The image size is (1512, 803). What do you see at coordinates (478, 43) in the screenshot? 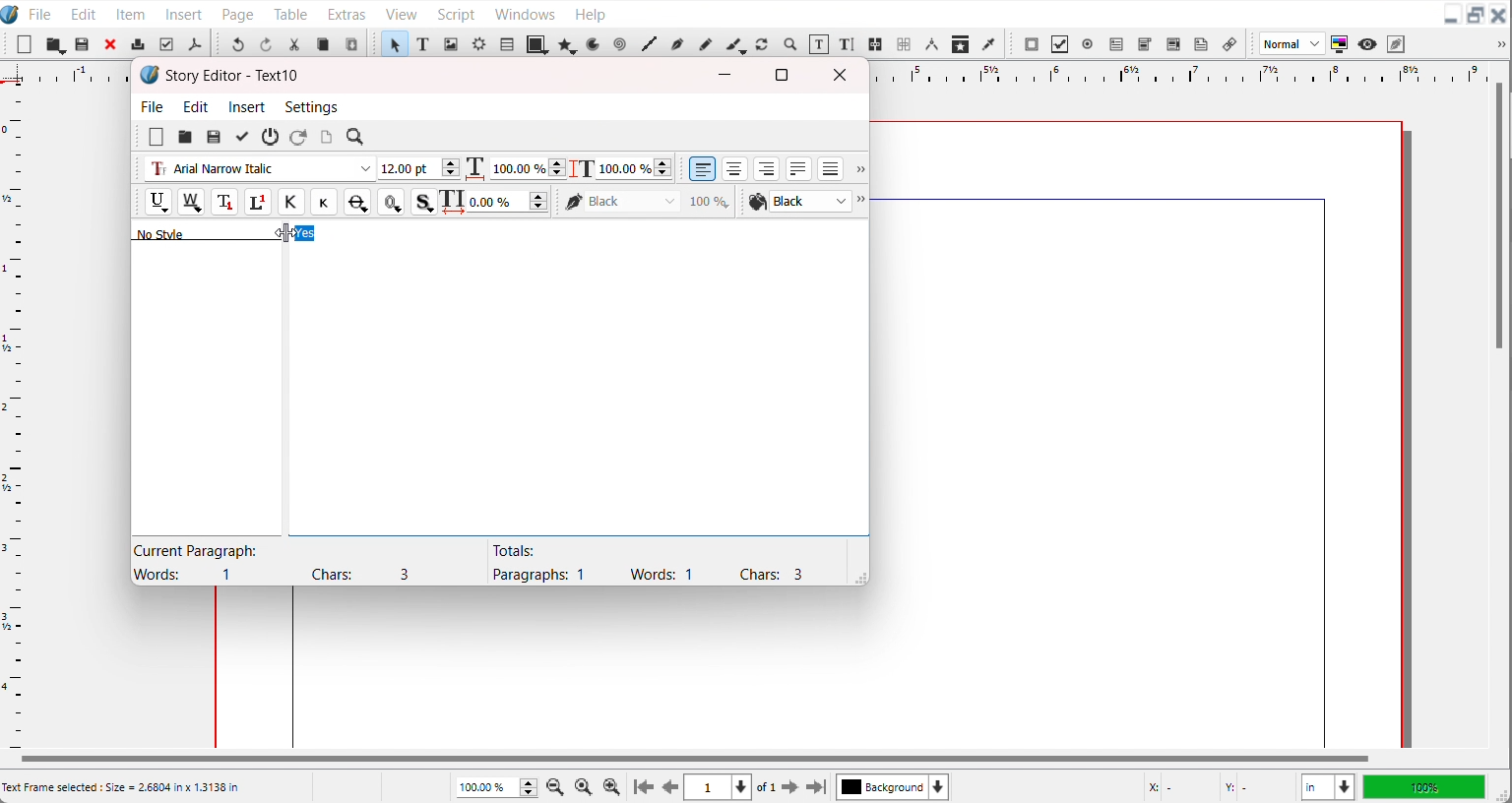
I see `Render Frame` at bounding box center [478, 43].